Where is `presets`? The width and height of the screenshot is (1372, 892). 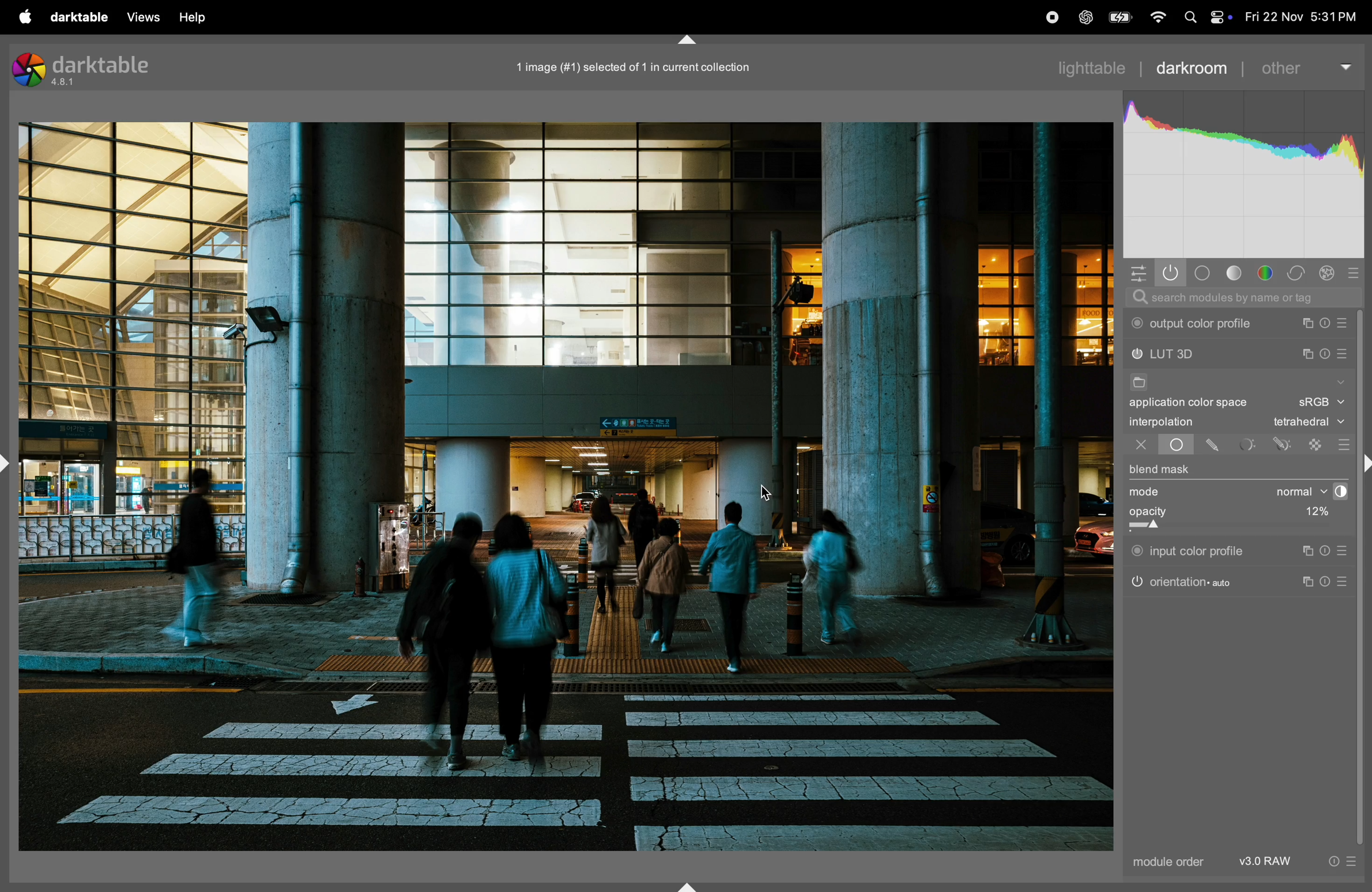 presets is located at coordinates (1346, 582).